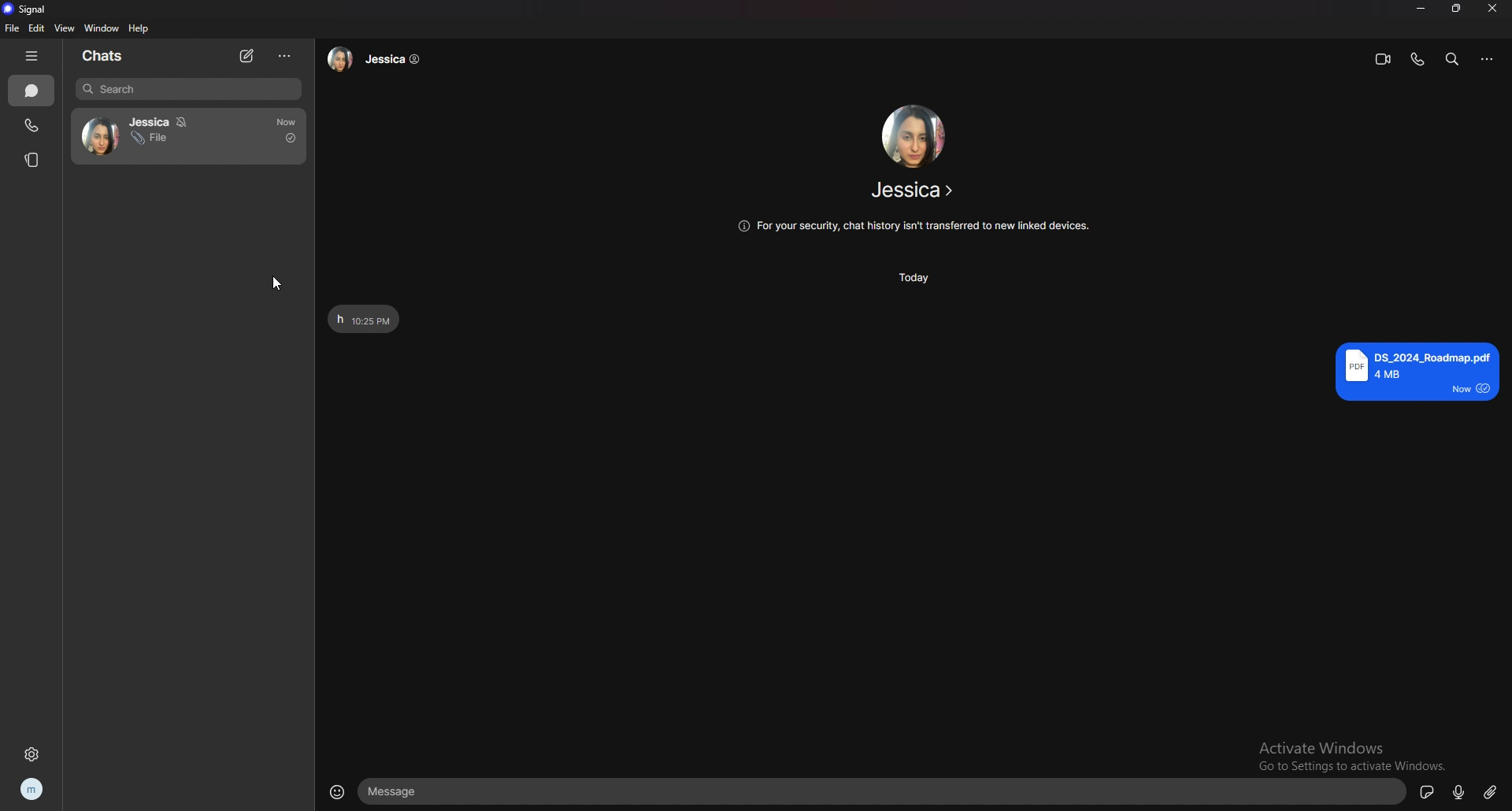  What do you see at coordinates (31, 126) in the screenshot?
I see `calls` at bounding box center [31, 126].